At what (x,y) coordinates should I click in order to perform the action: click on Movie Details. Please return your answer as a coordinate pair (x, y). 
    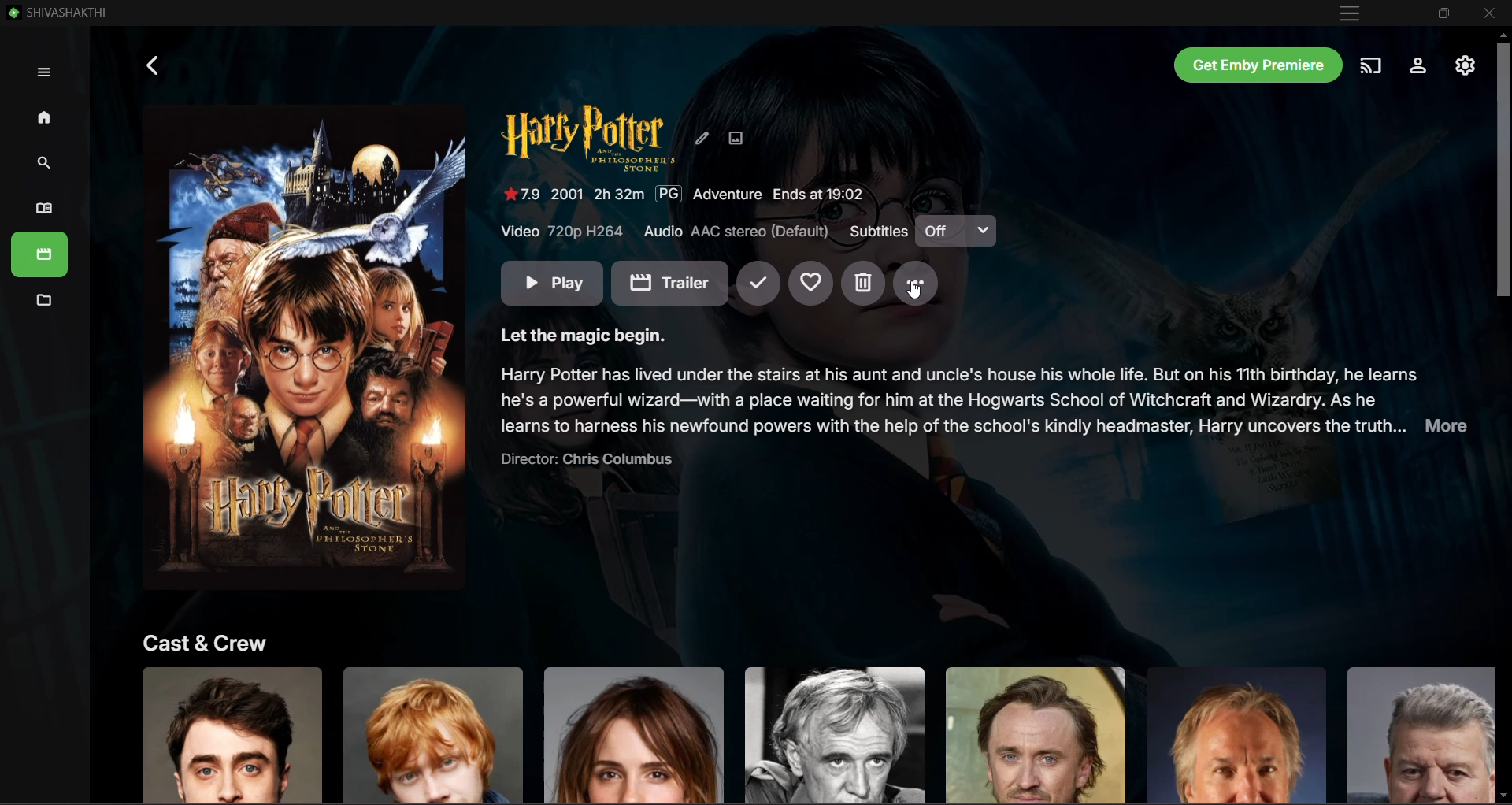
    Looking at the image, I should click on (684, 195).